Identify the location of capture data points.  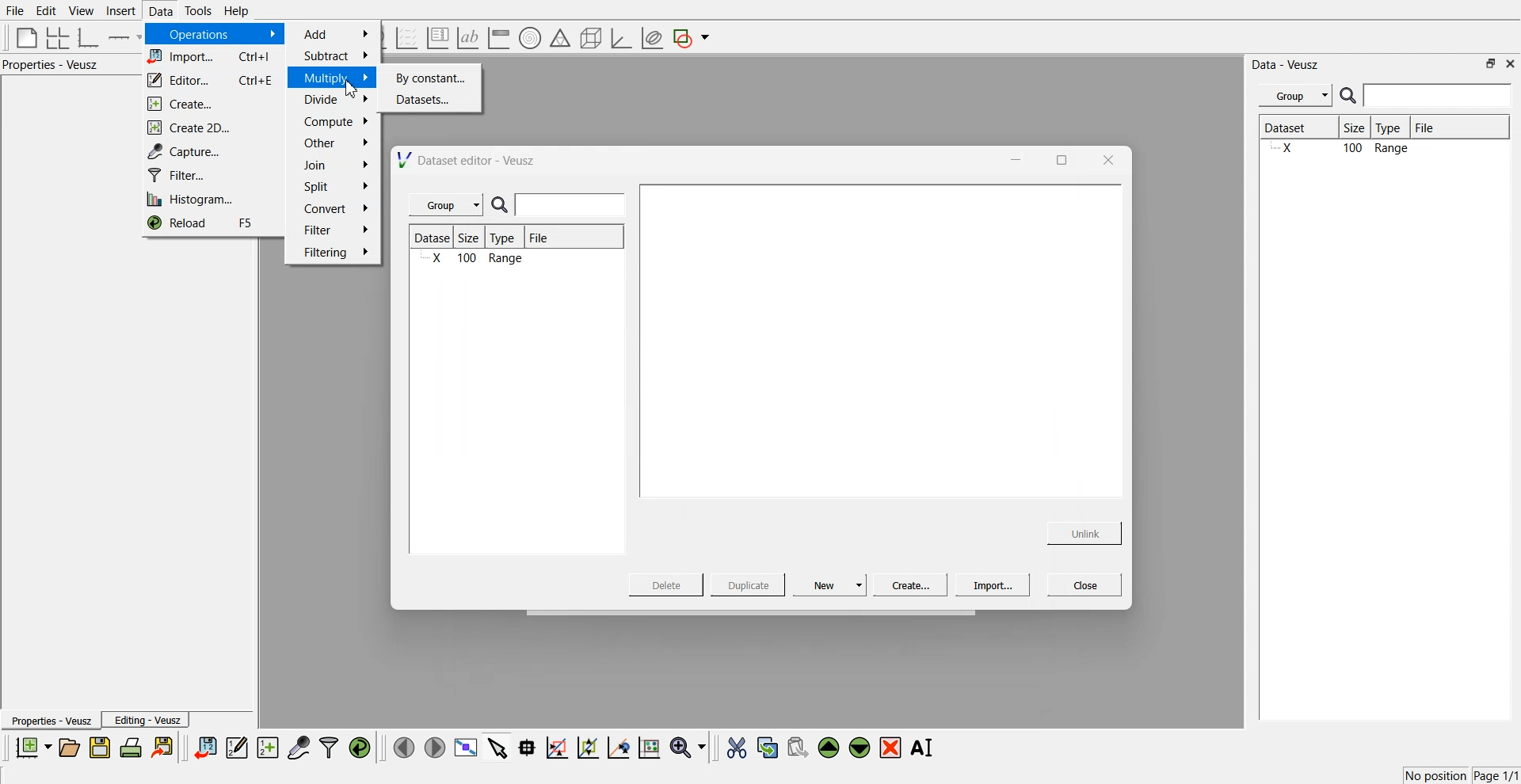
(299, 748).